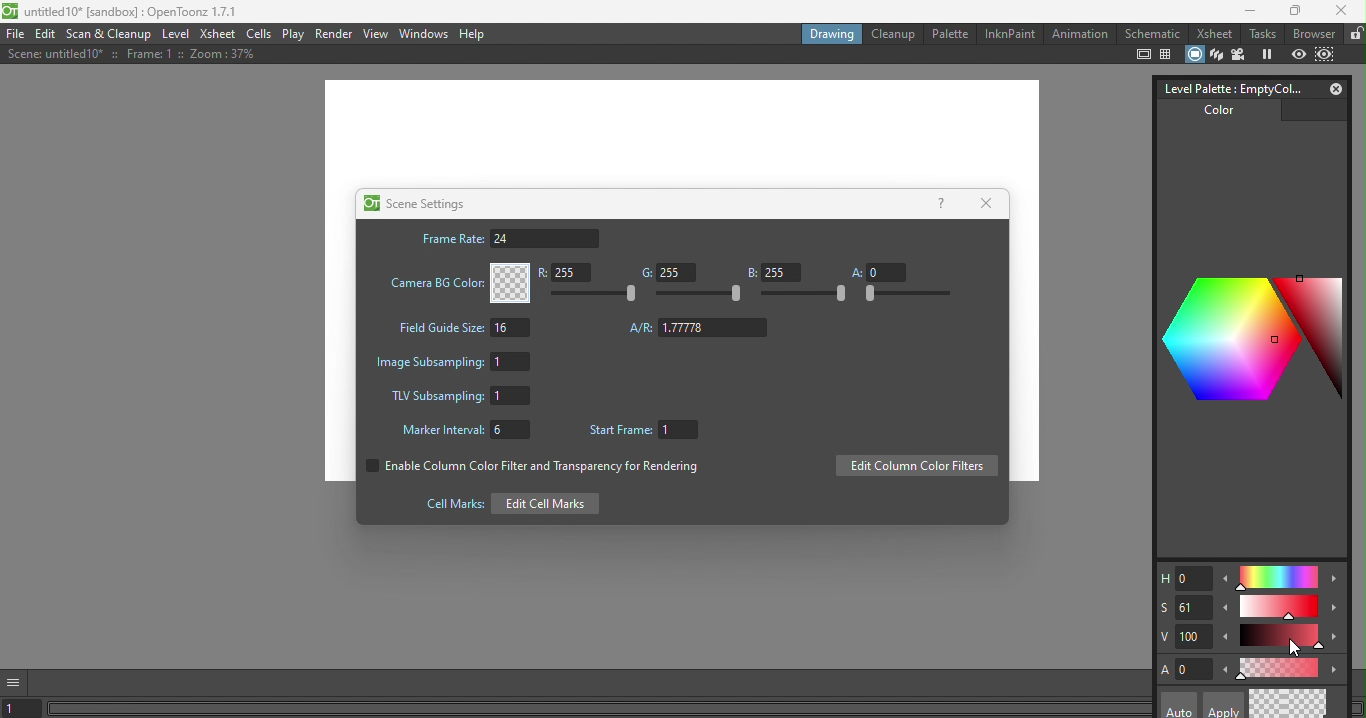 The image size is (1366, 718). I want to click on Increase, so click(1336, 640).